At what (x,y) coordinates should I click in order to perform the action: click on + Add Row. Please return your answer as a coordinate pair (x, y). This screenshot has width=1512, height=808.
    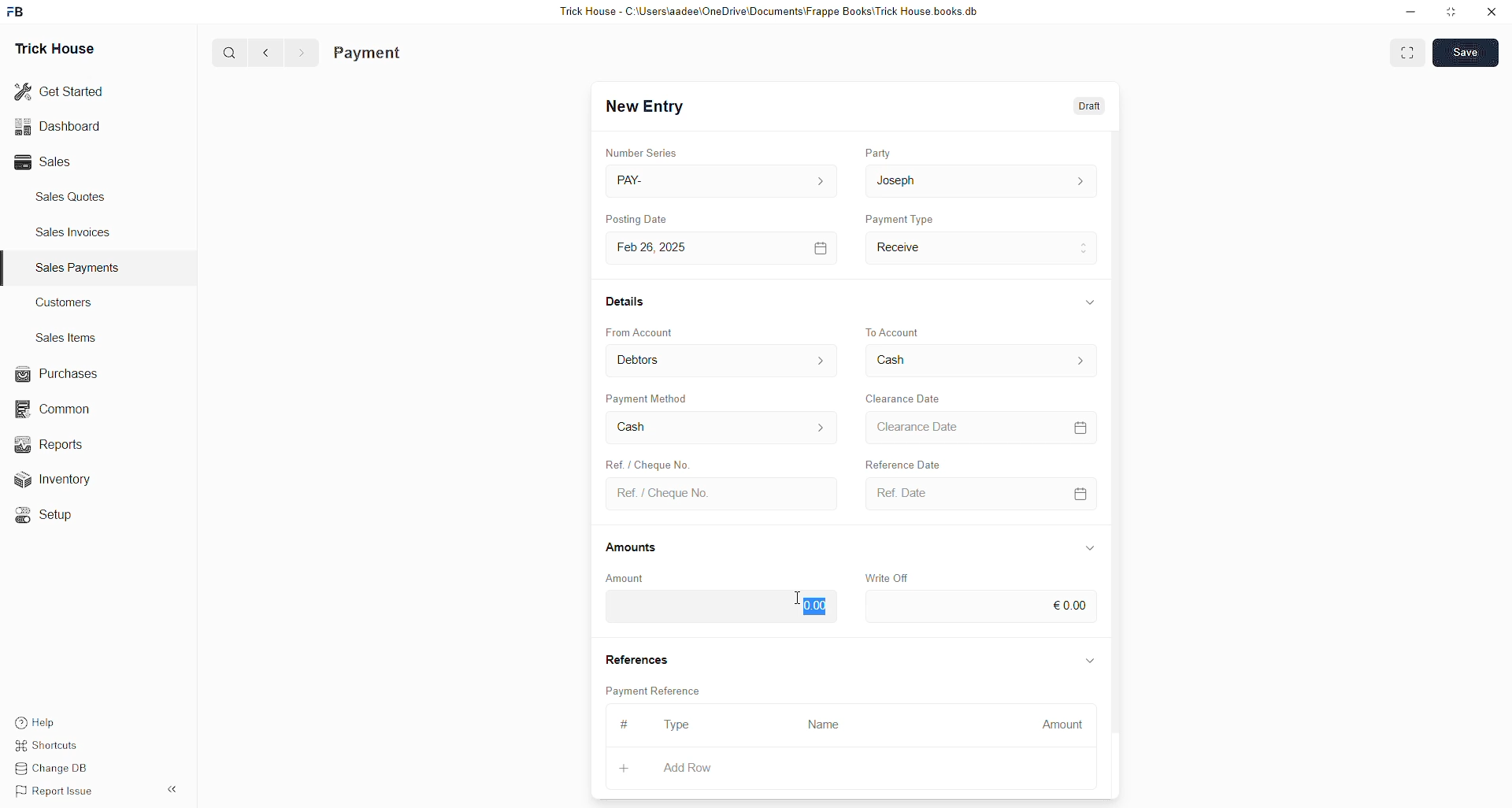
    Looking at the image, I should click on (699, 769).